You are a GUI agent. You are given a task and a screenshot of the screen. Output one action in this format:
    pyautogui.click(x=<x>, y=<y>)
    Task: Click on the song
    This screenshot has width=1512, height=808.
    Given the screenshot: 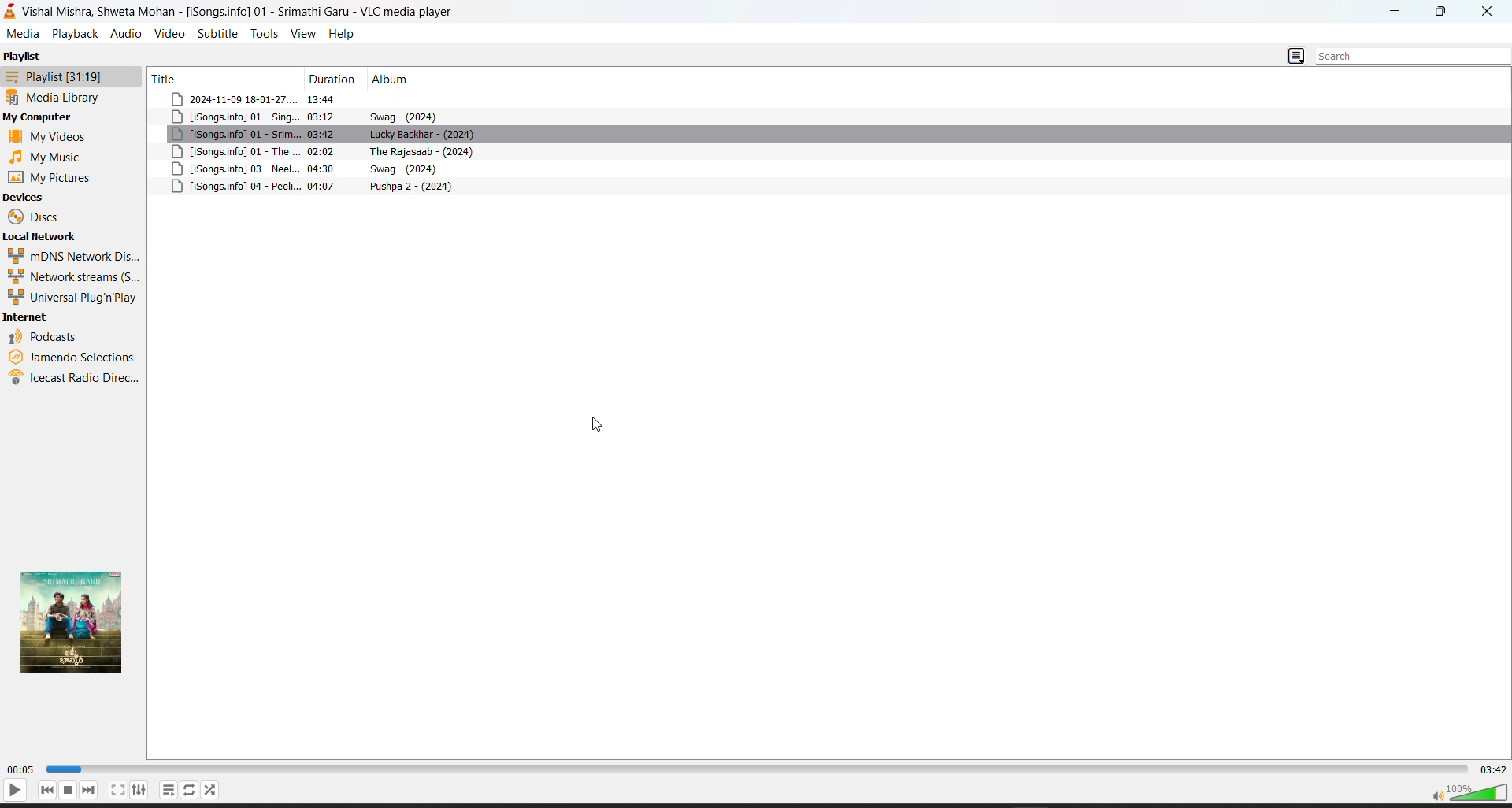 What is the action you would take?
    pyautogui.click(x=829, y=151)
    